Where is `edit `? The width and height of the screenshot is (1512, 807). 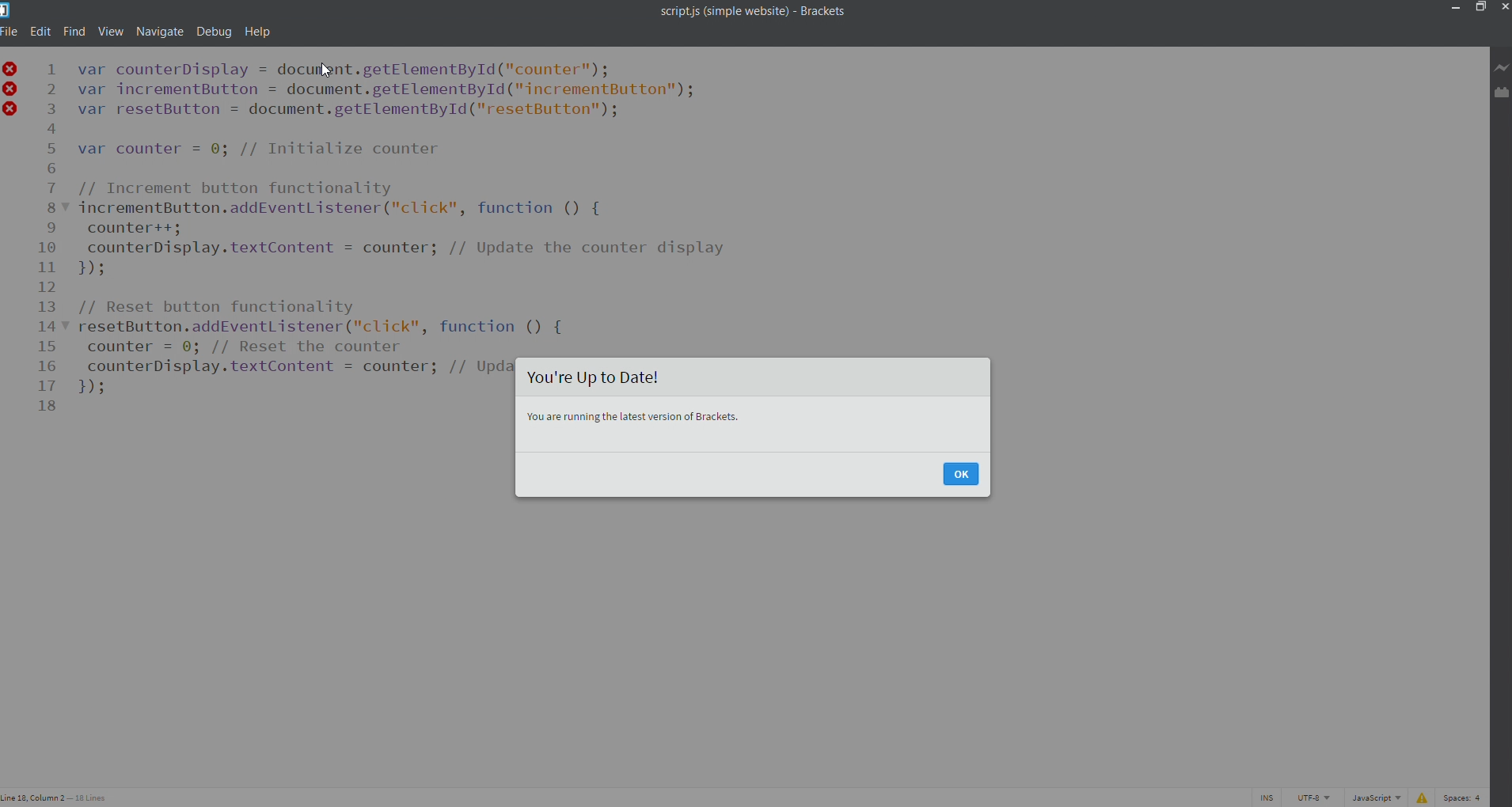
edit  is located at coordinates (40, 30).